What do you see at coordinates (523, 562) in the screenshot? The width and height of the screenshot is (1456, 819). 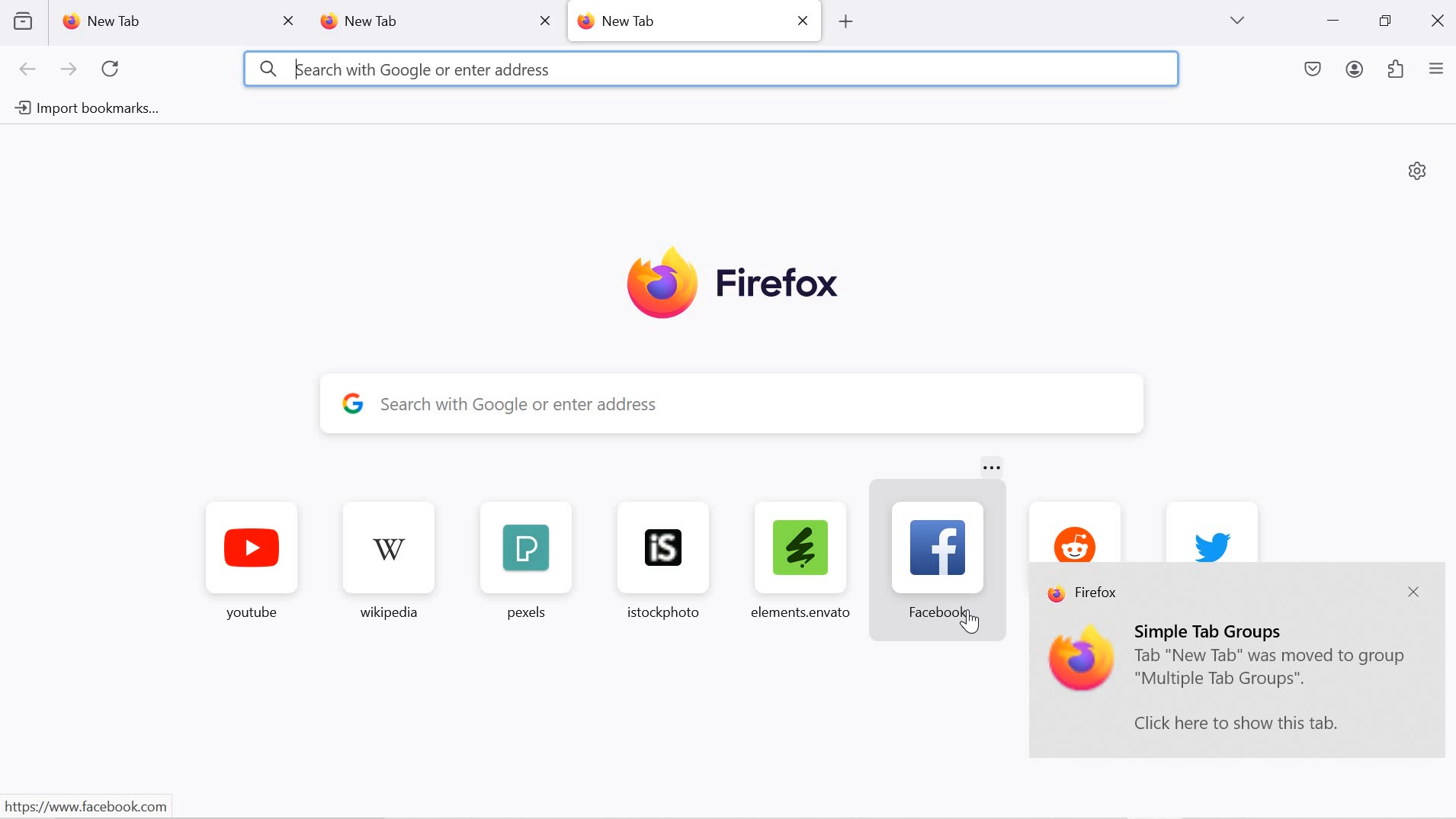 I see `pexels favorite` at bounding box center [523, 562].